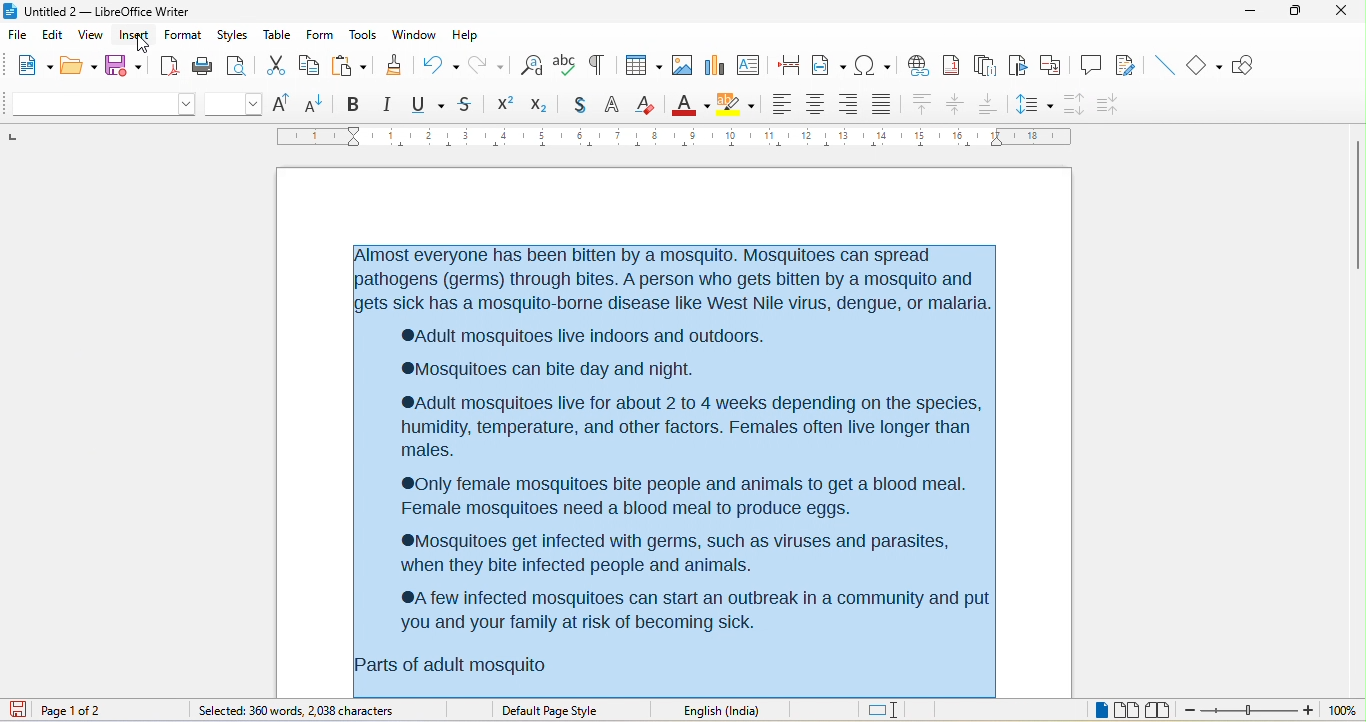 This screenshot has width=1366, height=722. I want to click on chart, so click(715, 64).